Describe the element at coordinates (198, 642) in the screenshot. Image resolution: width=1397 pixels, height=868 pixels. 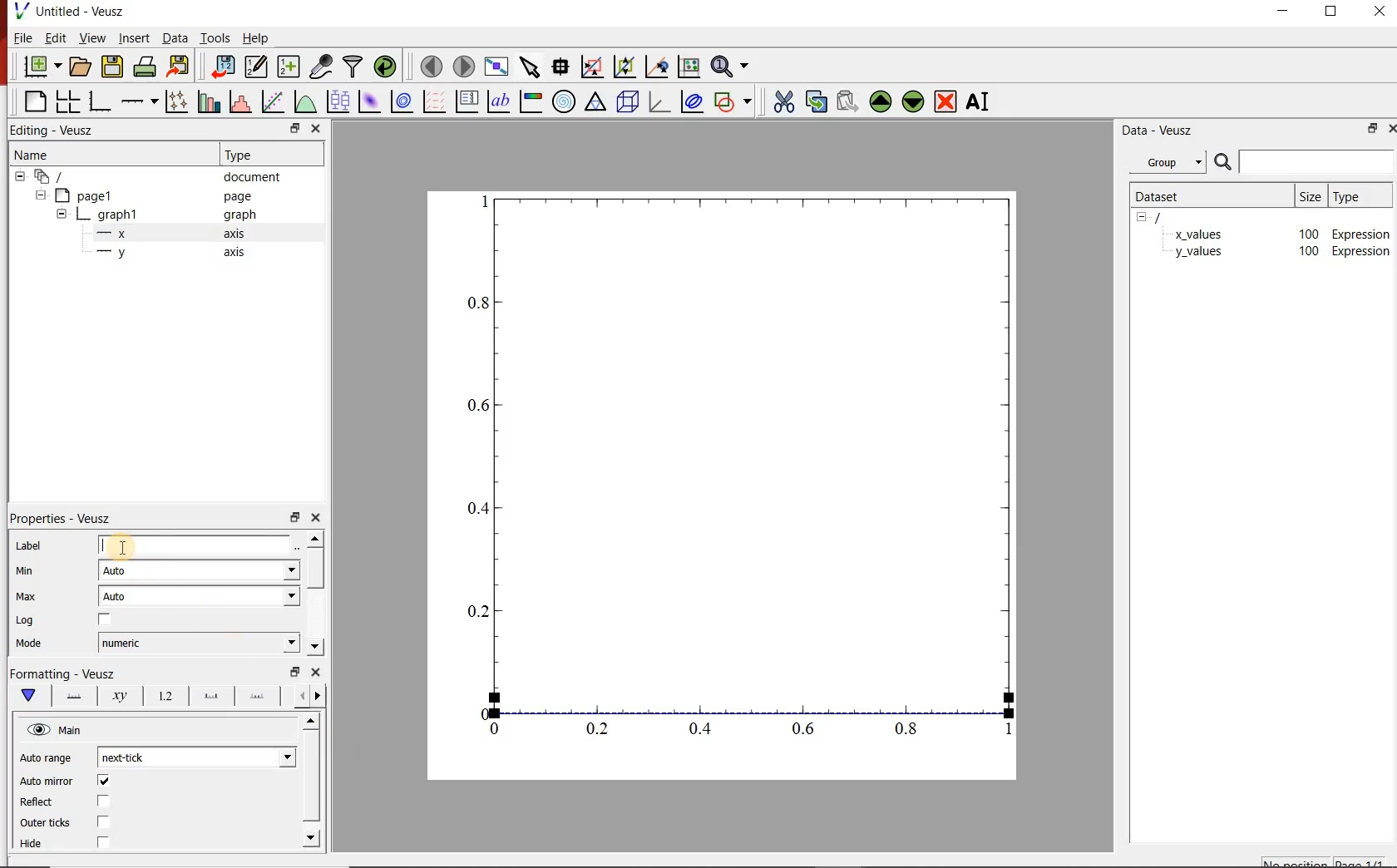
I see `numeric` at that location.